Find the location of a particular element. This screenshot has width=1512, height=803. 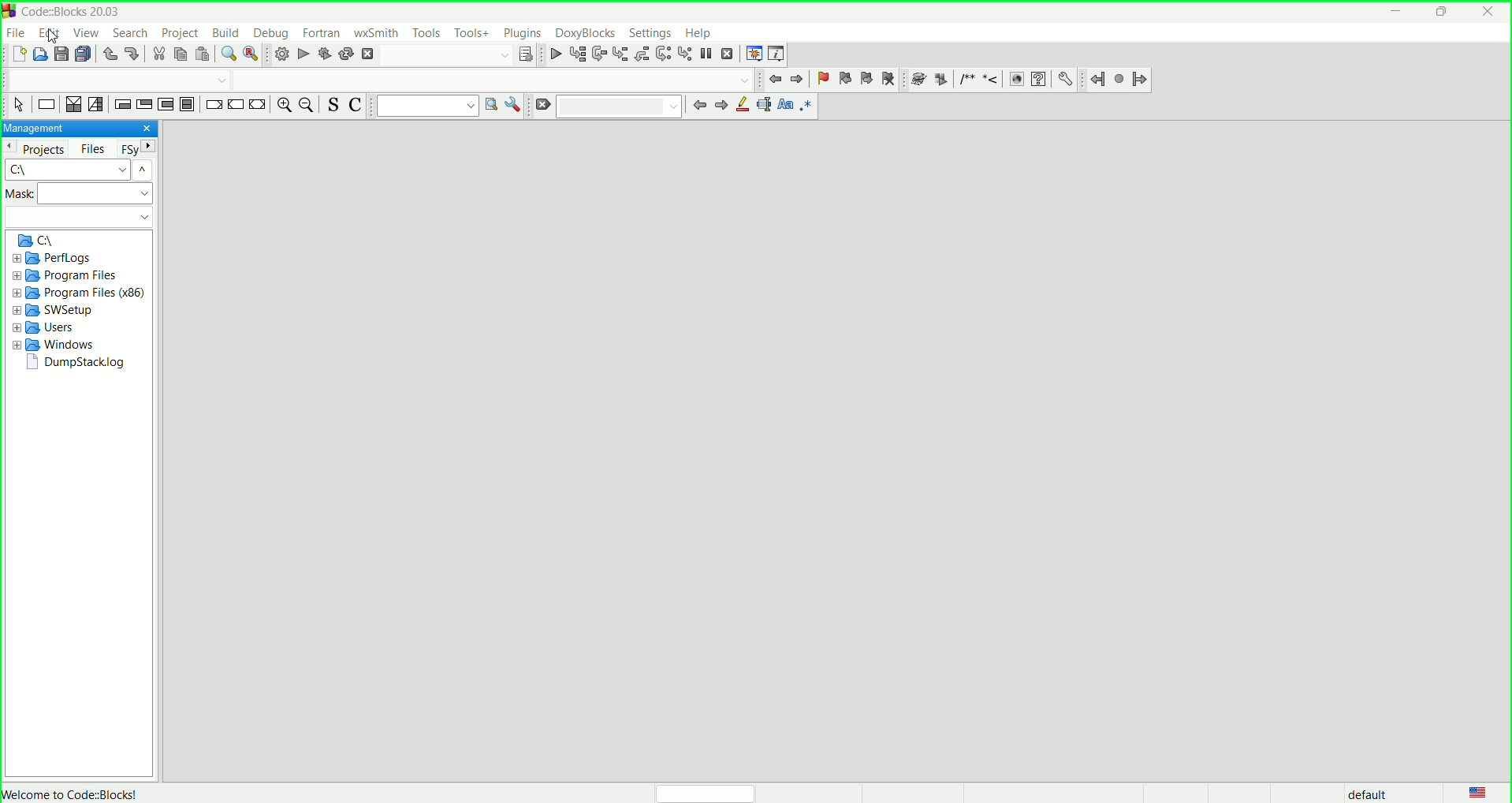

management is located at coordinates (36, 129).